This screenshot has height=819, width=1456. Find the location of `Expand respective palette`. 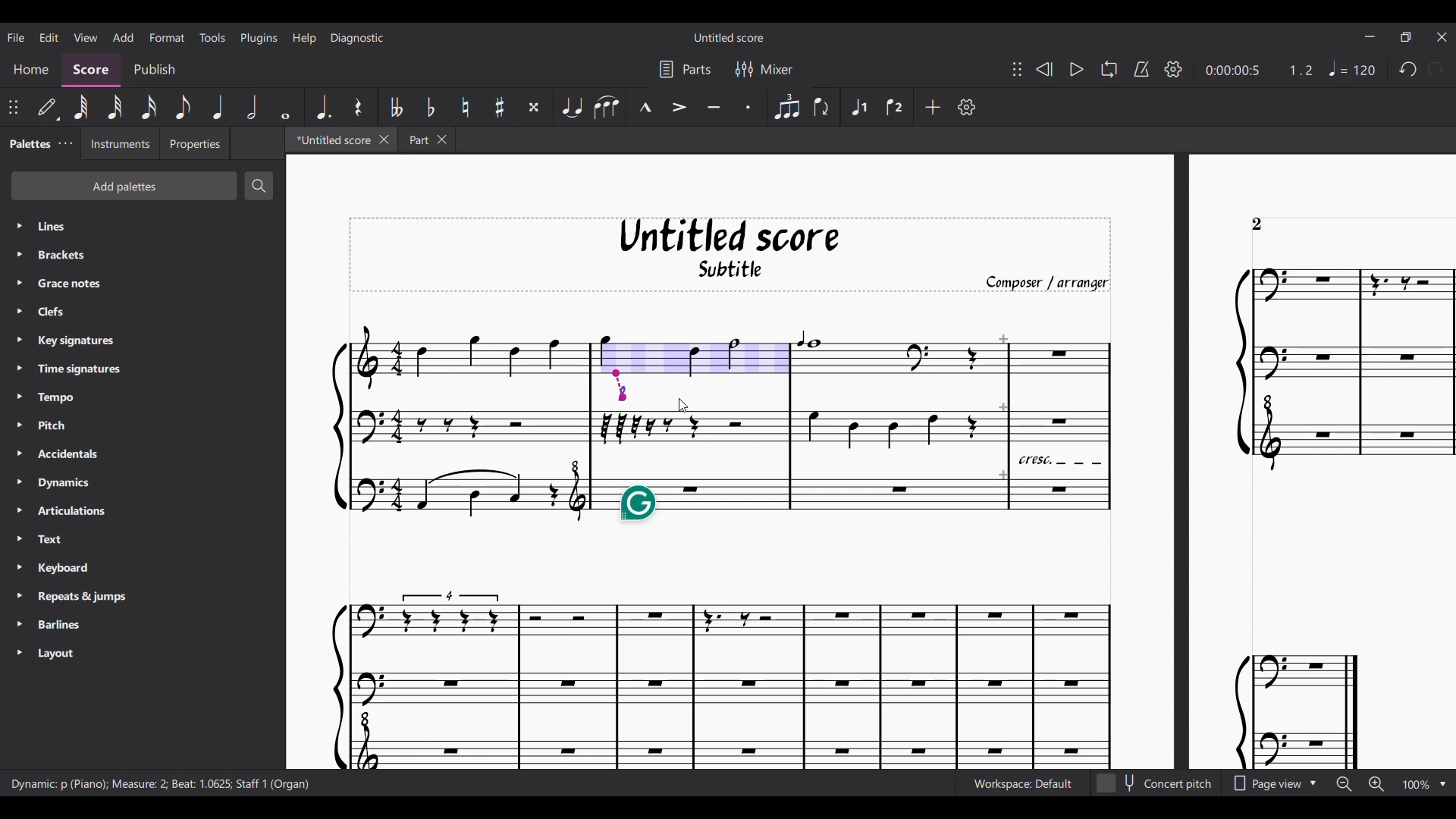

Expand respective palette is located at coordinates (19, 438).